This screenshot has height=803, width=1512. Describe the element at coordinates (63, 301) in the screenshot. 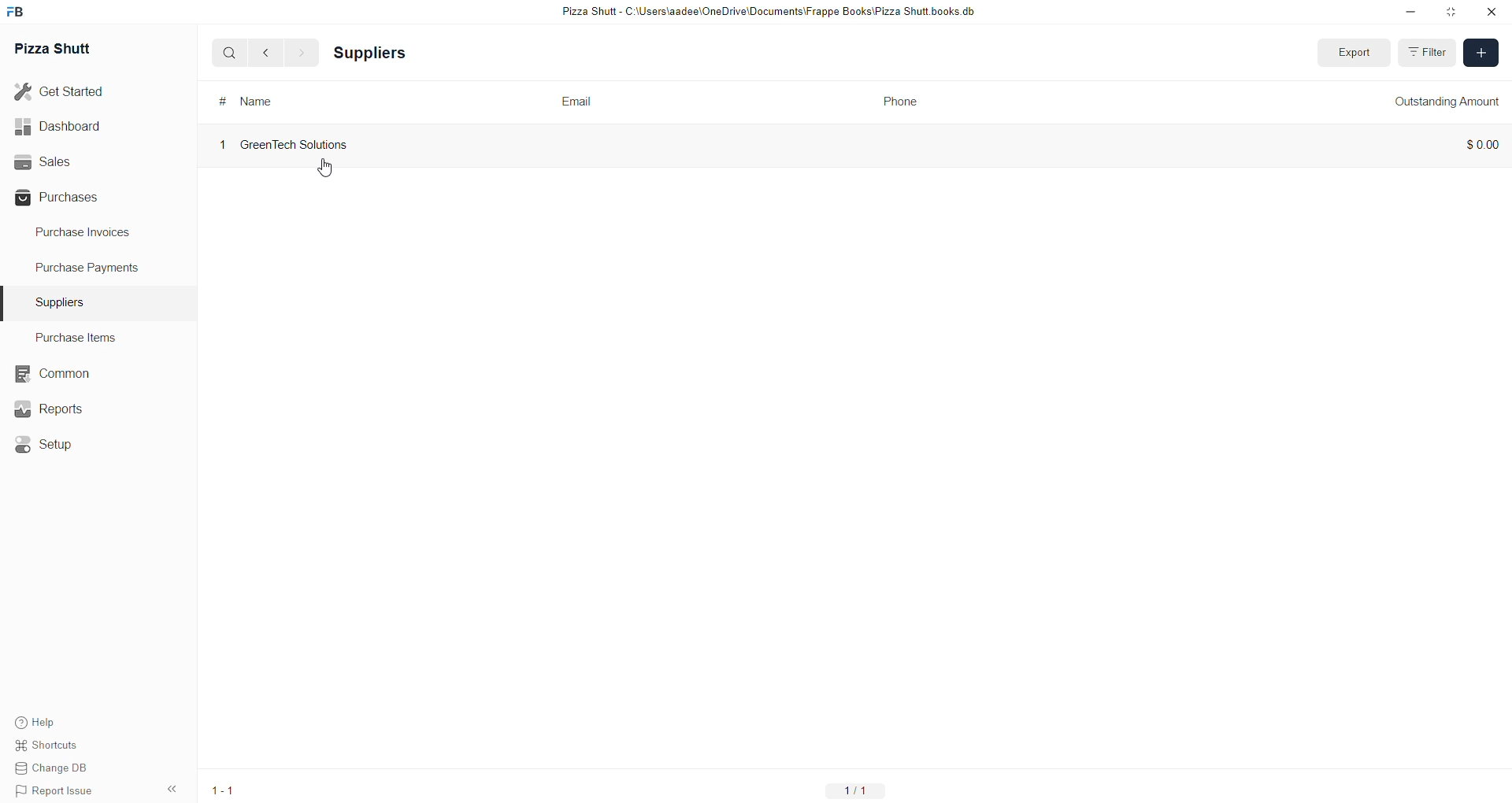

I see `Suppliers` at that location.